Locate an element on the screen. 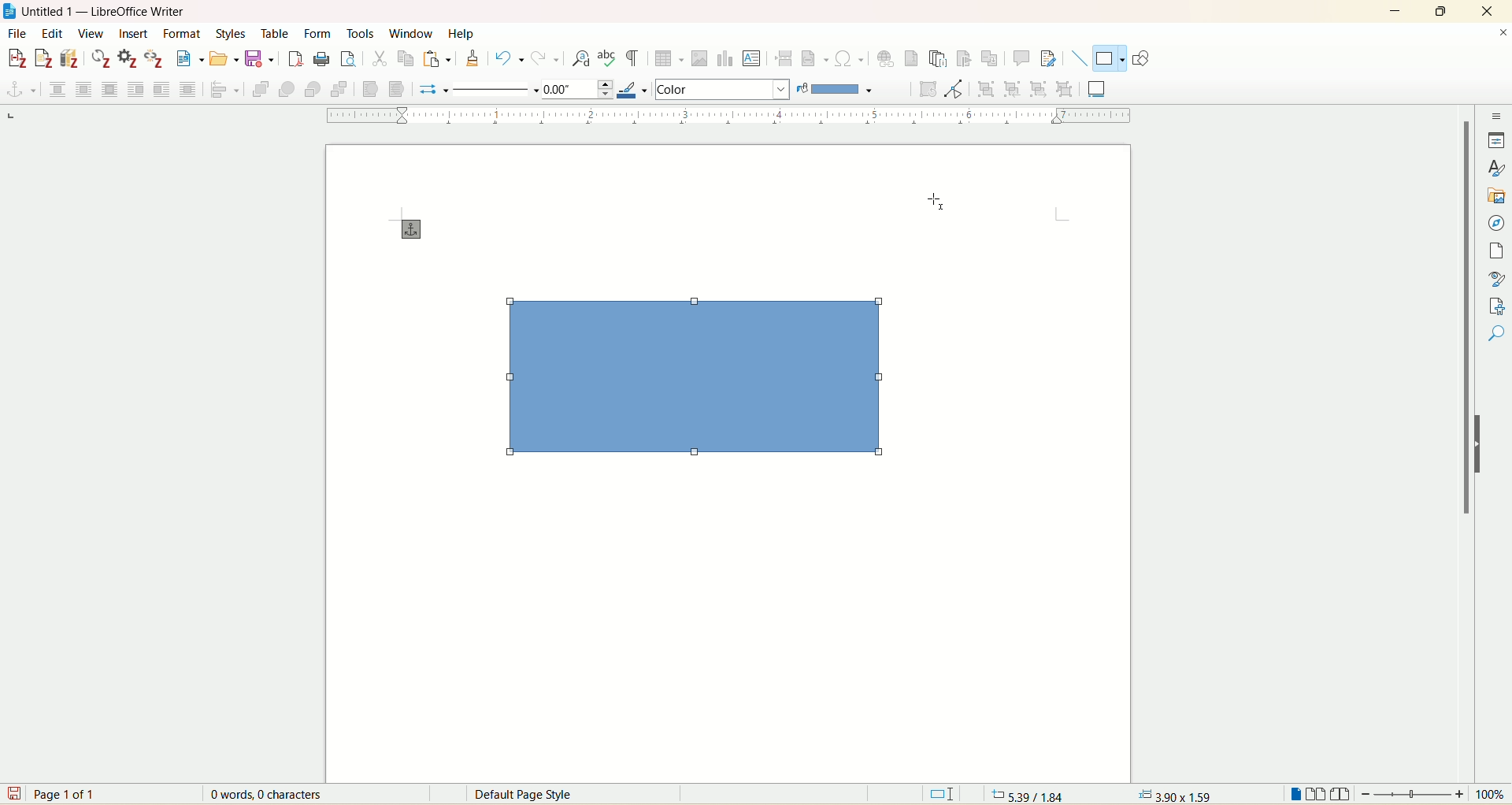 The width and height of the screenshot is (1512, 805). insert chart is located at coordinates (724, 57).